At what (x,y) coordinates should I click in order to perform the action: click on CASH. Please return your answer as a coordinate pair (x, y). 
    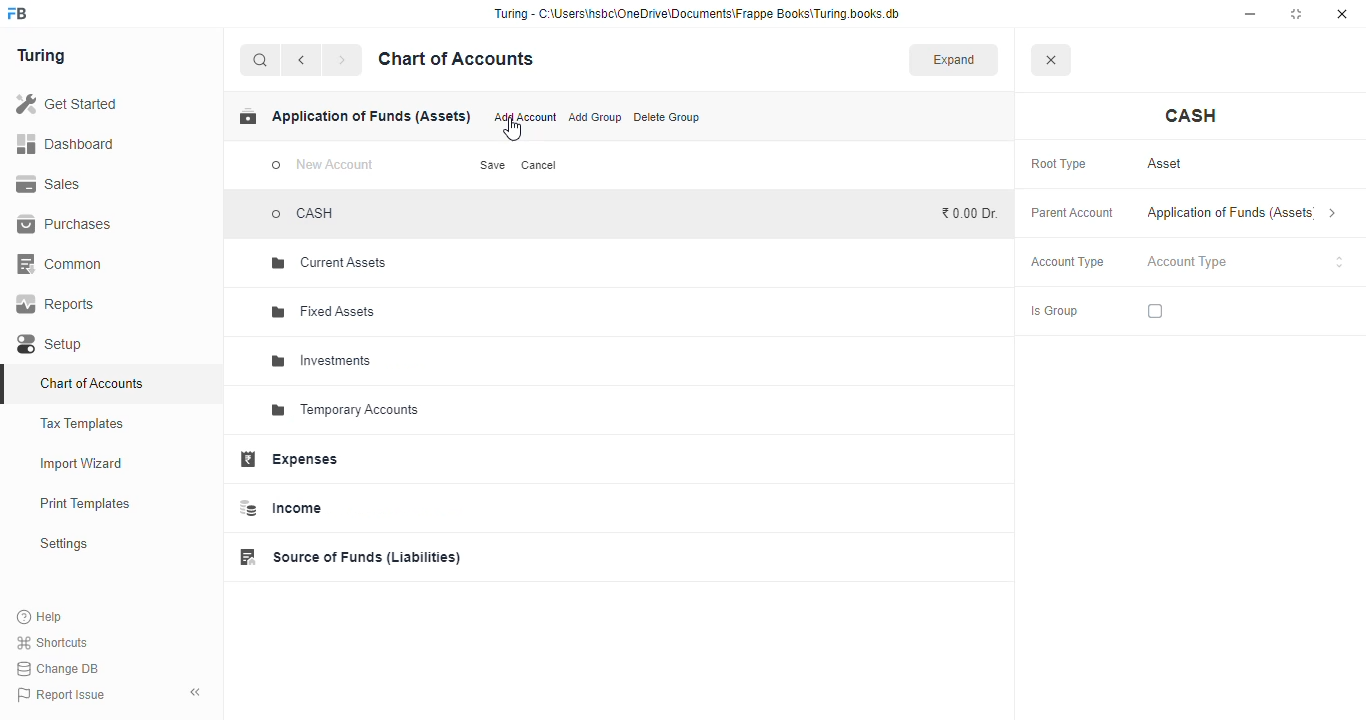
    Looking at the image, I should click on (324, 213).